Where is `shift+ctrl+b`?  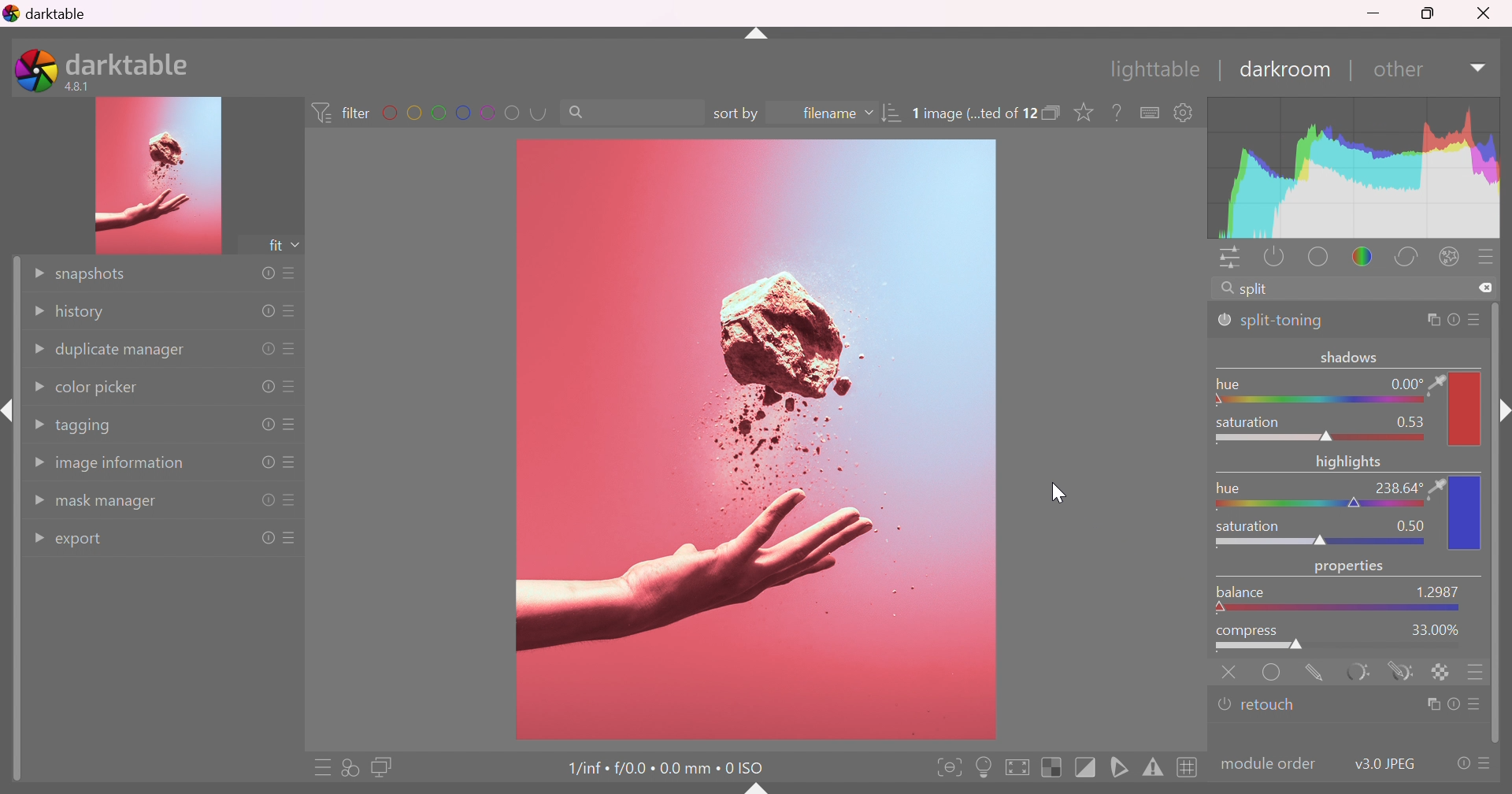 shift+ctrl+b is located at coordinates (755, 788).